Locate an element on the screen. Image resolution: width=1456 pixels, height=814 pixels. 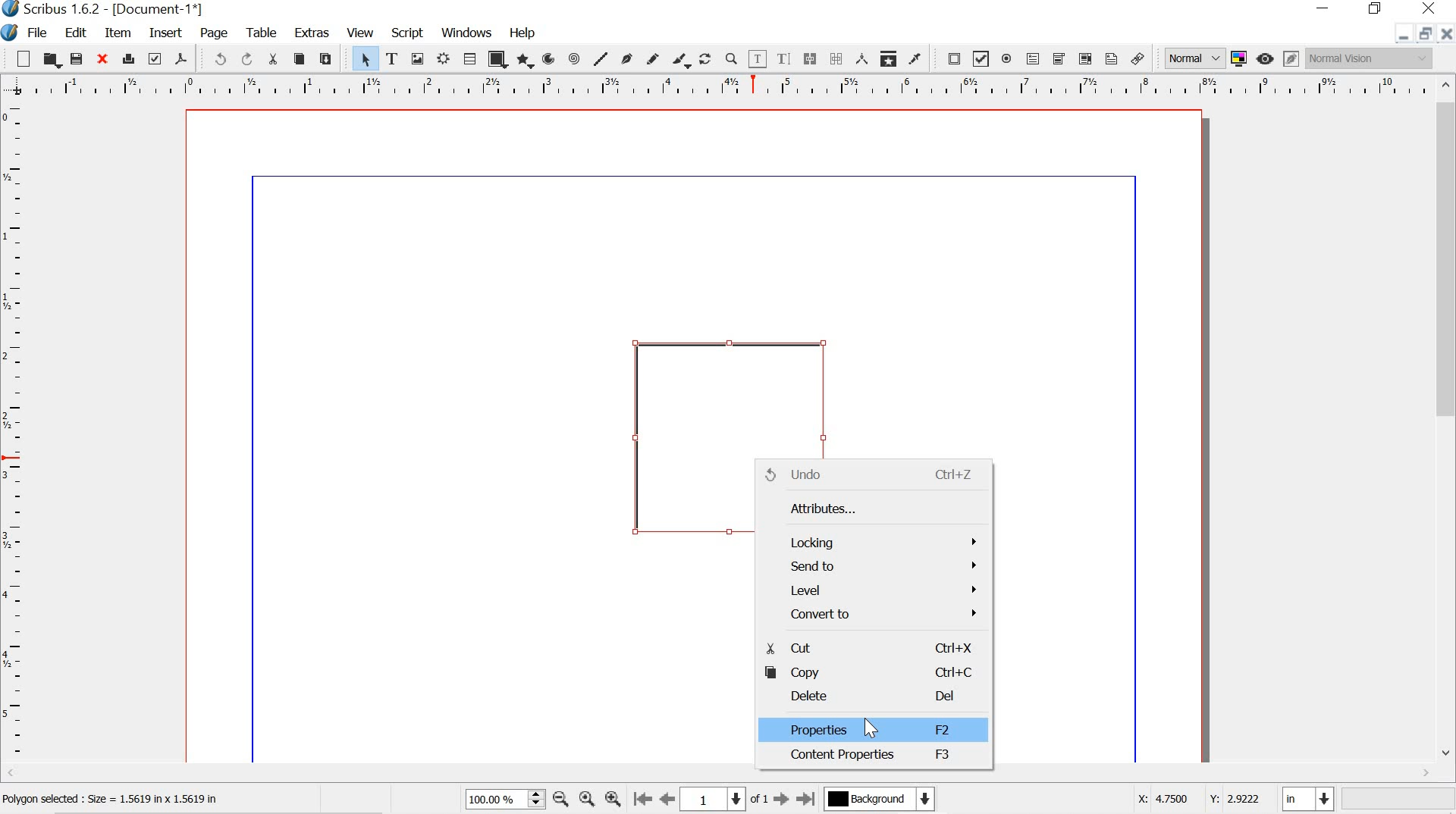
bezier curve is located at coordinates (627, 55).